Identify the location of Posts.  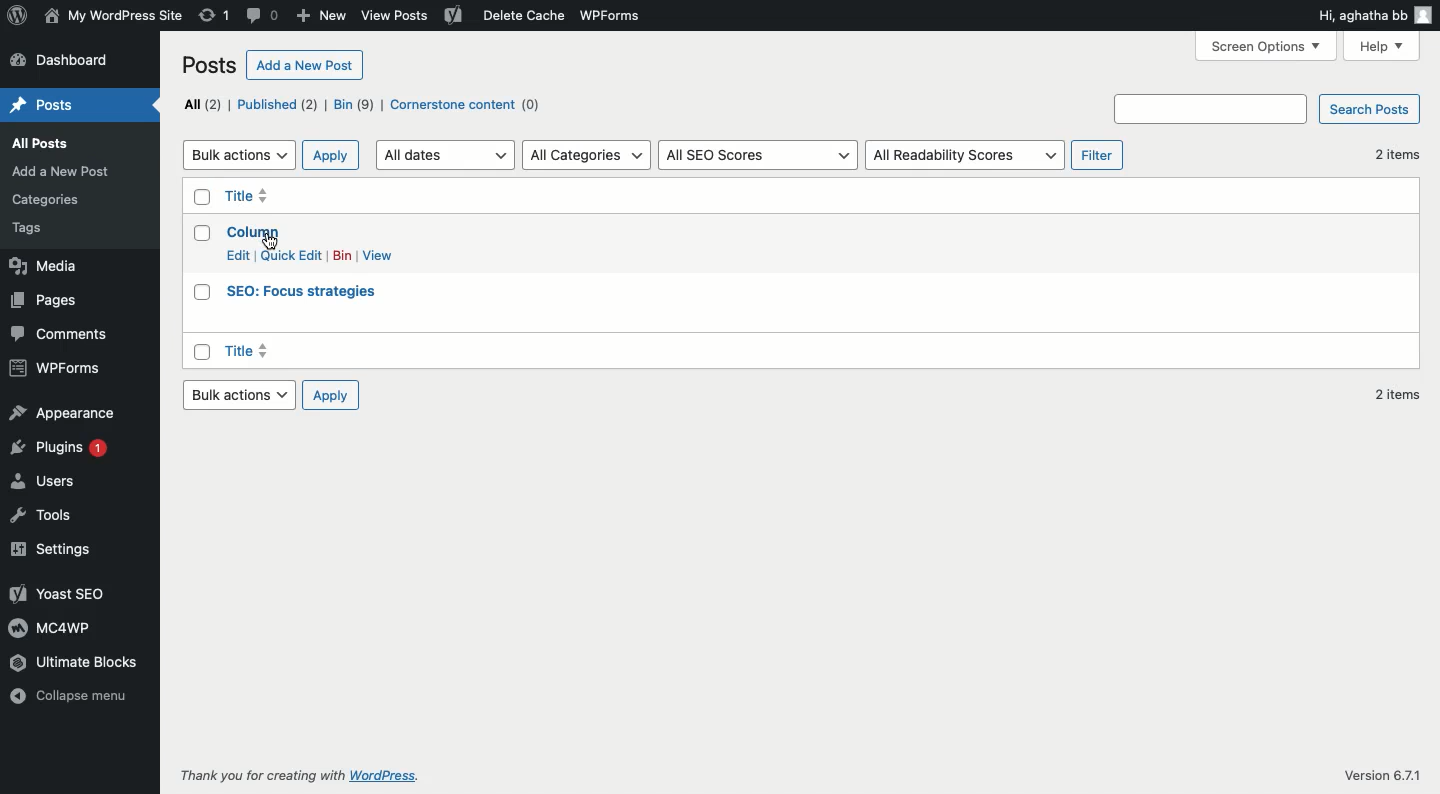
(52, 106).